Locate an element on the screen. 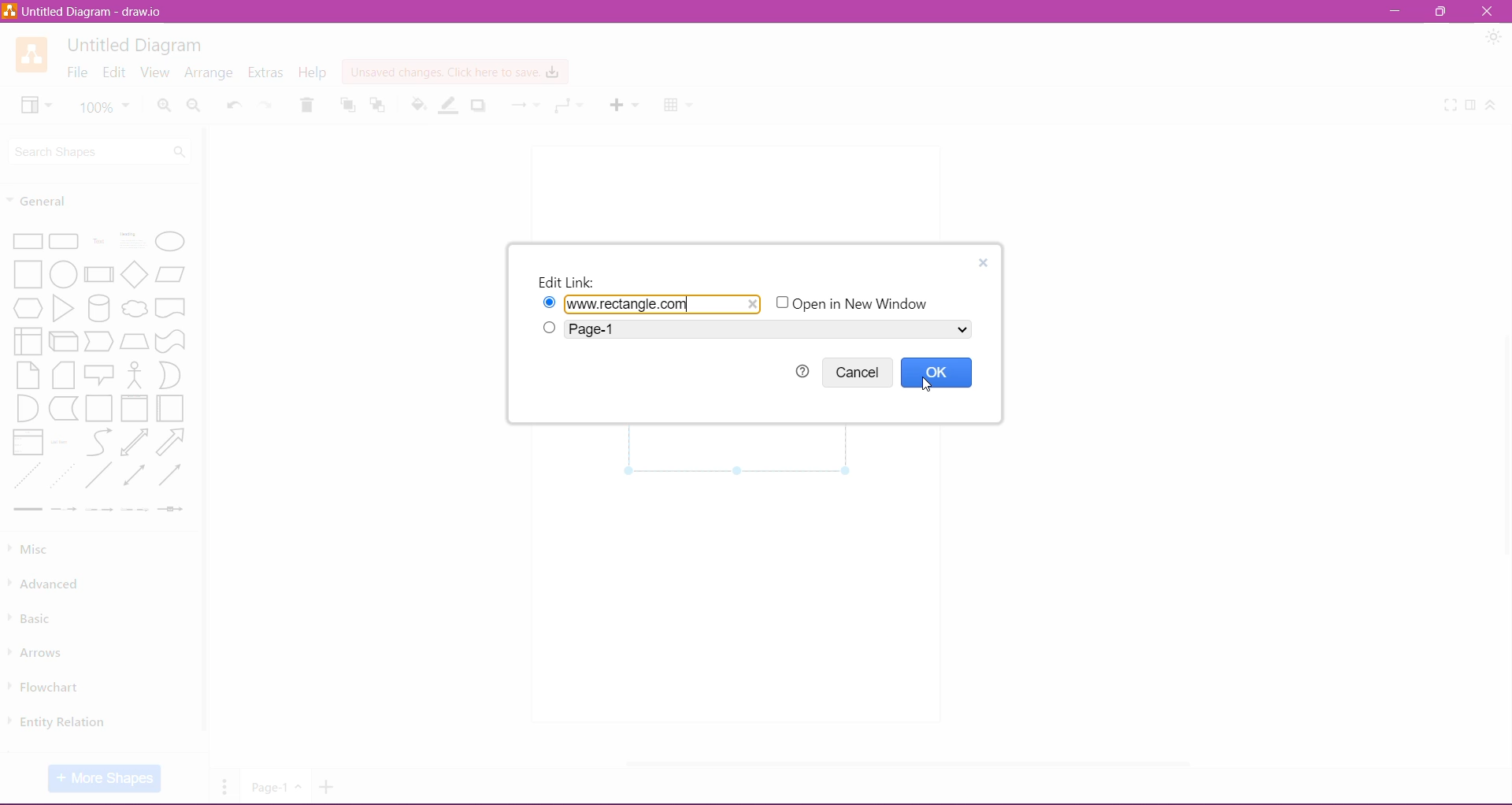  Connection is located at coordinates (525, 106).